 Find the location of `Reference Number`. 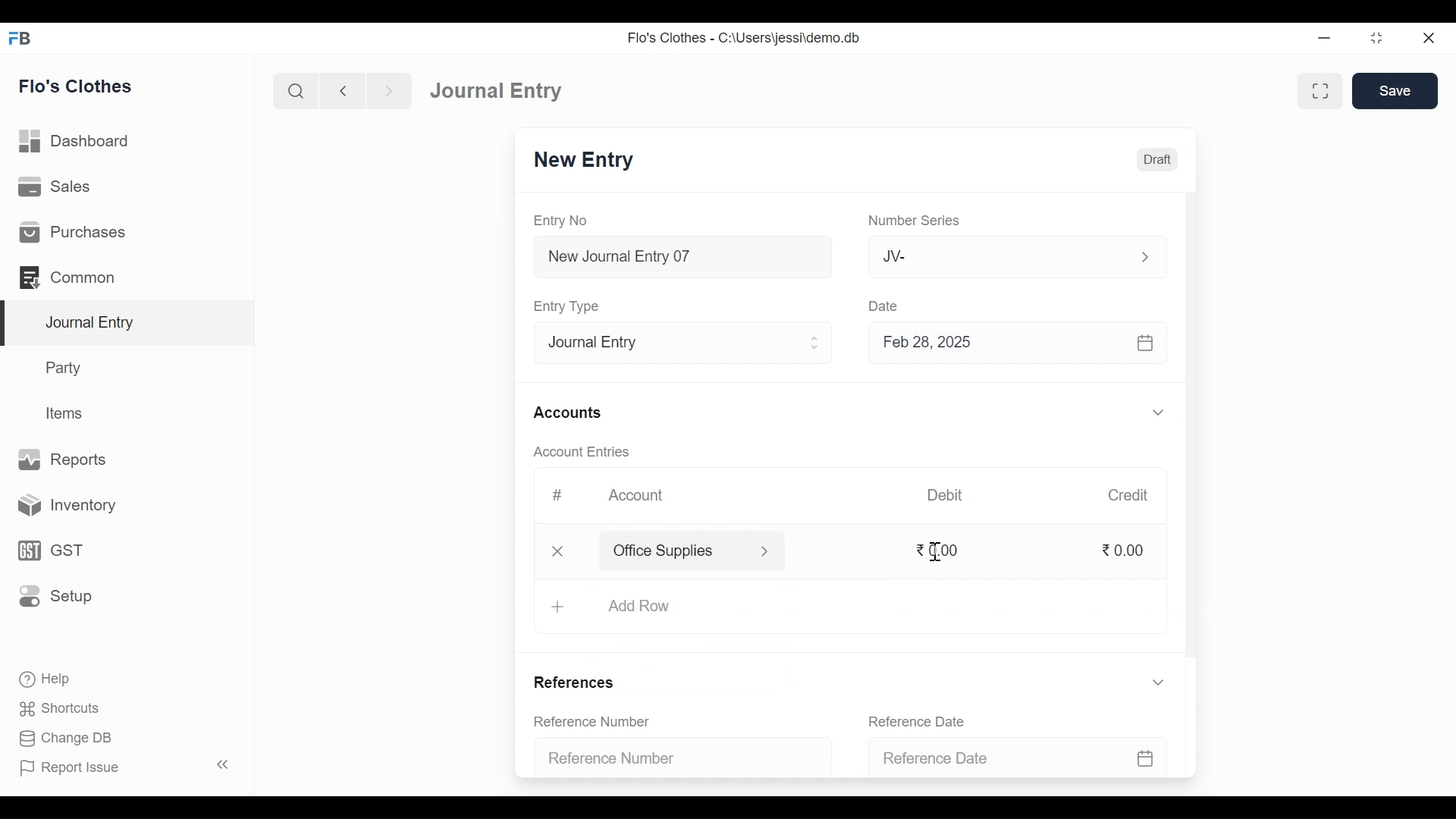

Reference Number is located at coordinates (672, 760).